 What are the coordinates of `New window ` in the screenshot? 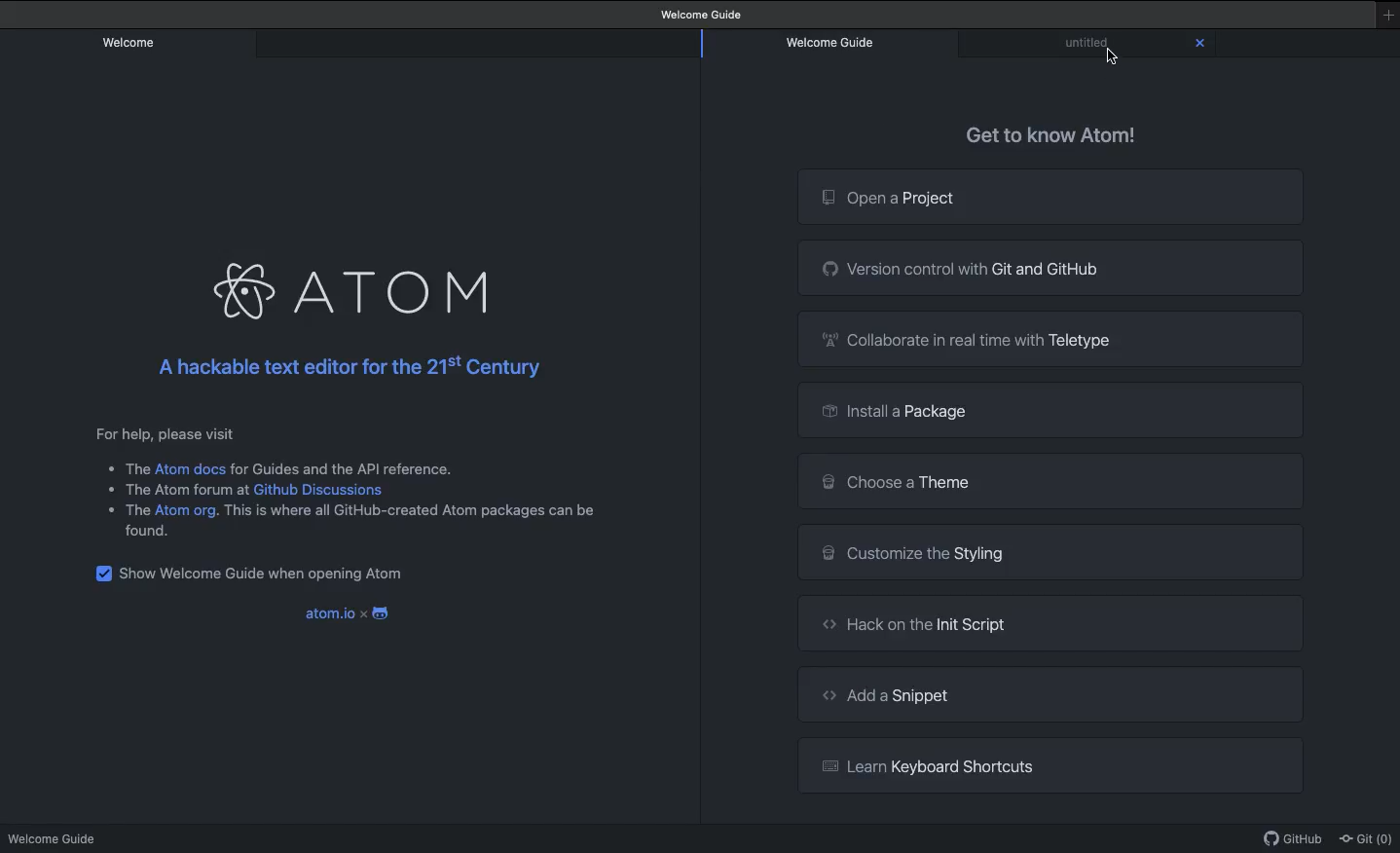 It's located at (1387, 16).